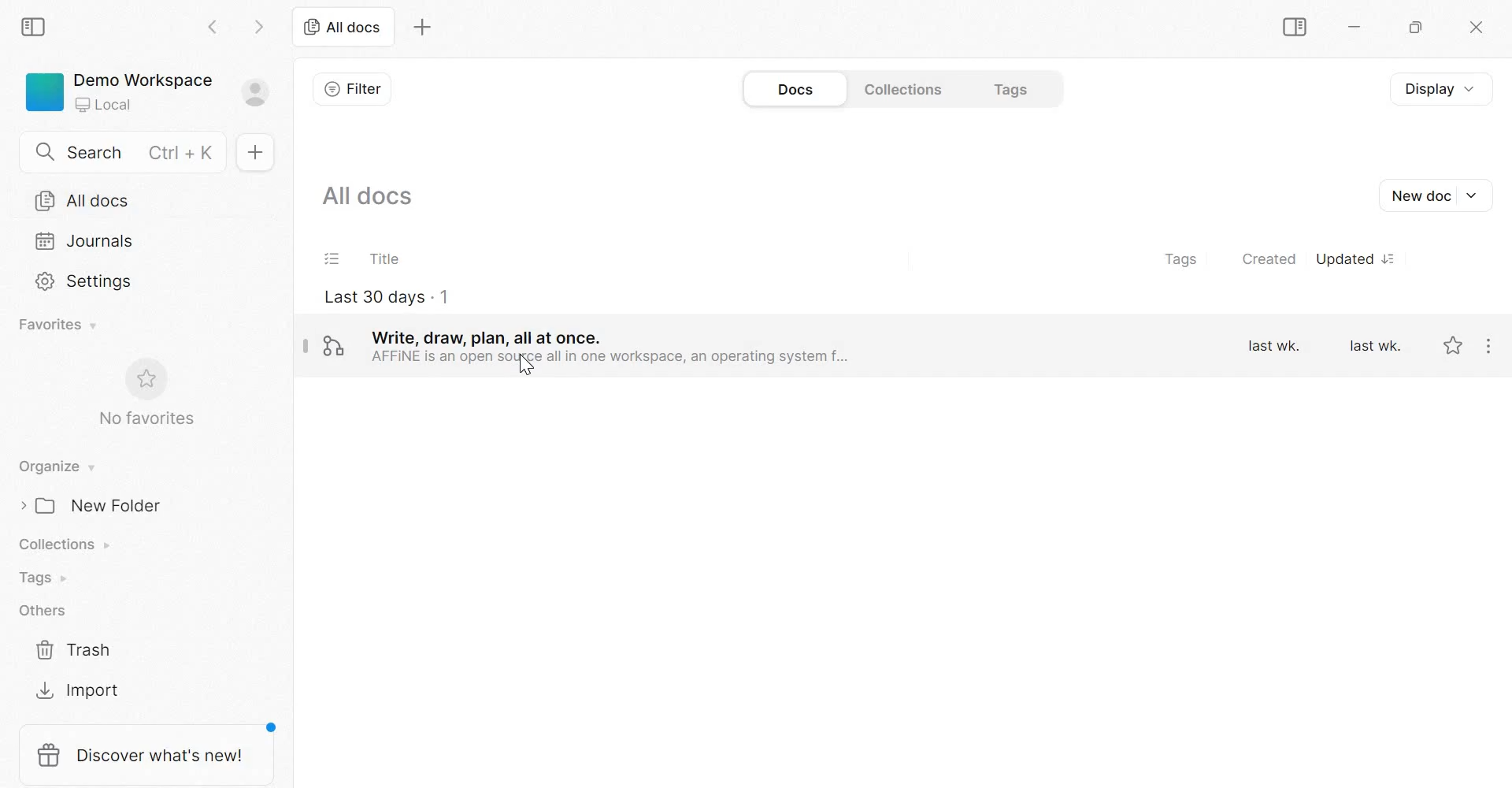  Describe the element at coordinates (41, 611) in the screenshot. I see `Others` at that location.